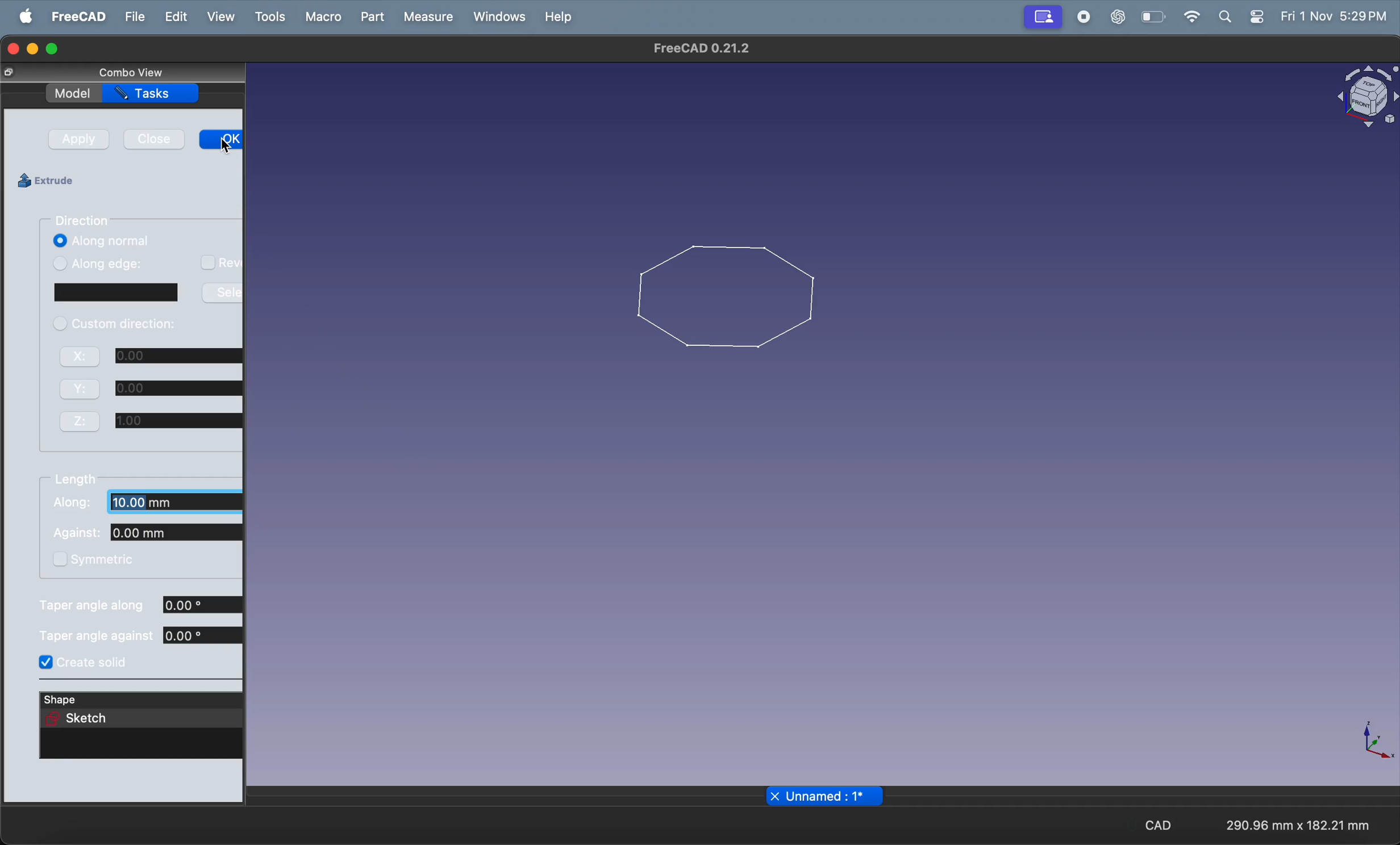 The width and height of the screenshot is (1400, 845). I want to click on copy, so click(19, 73).